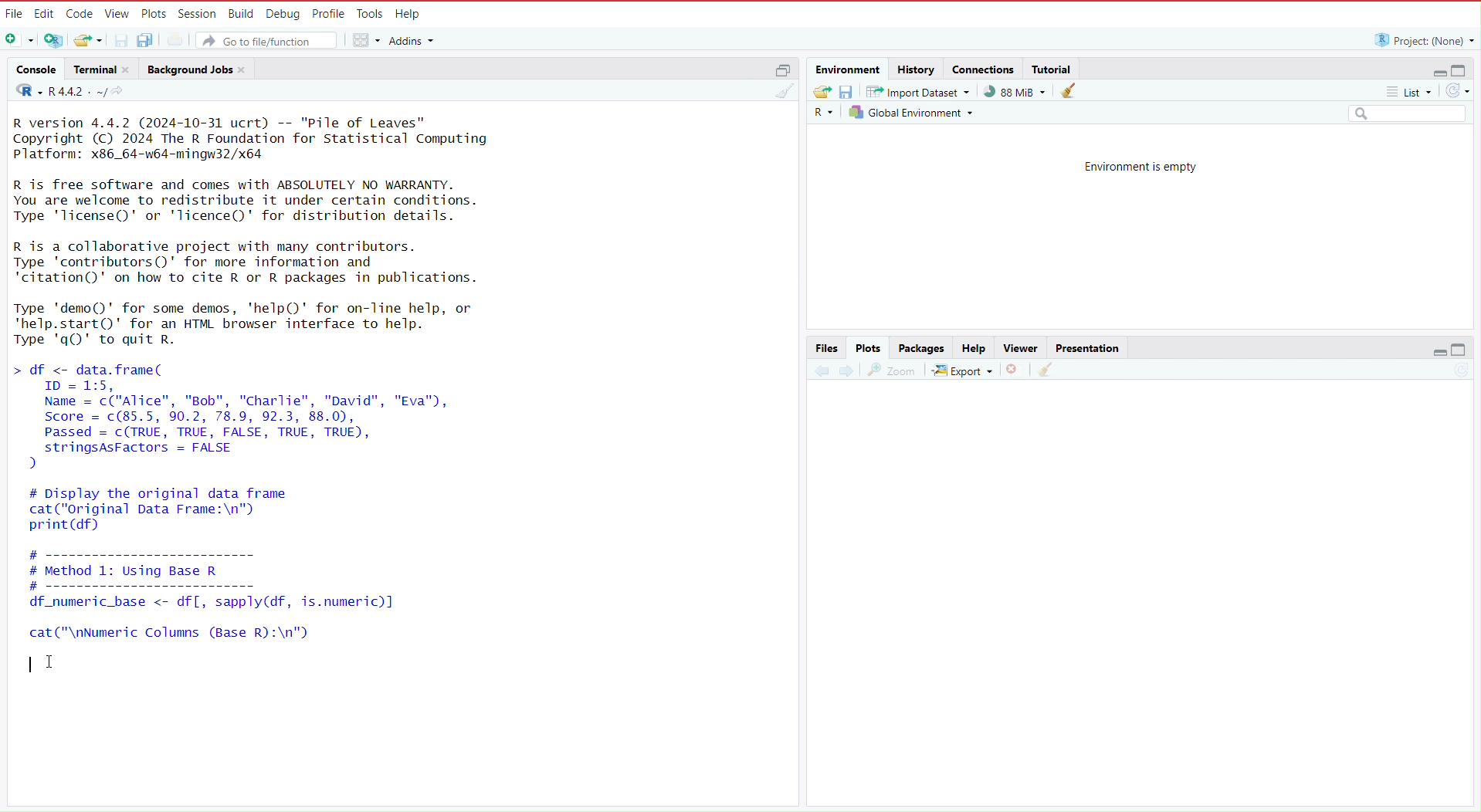 The height and width of the screenshot is (812, 1481). Describe the element at coordinates (79, 11) in the screenshot. I see `Code` at that location.